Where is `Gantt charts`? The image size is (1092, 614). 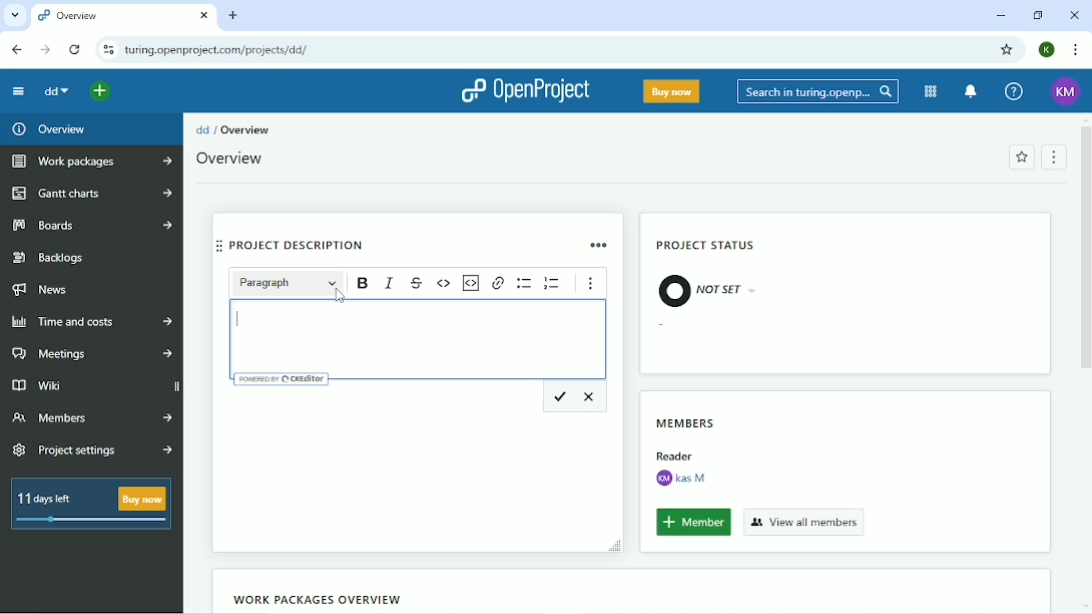 Gantt charts is located at coordinates (90, 194).